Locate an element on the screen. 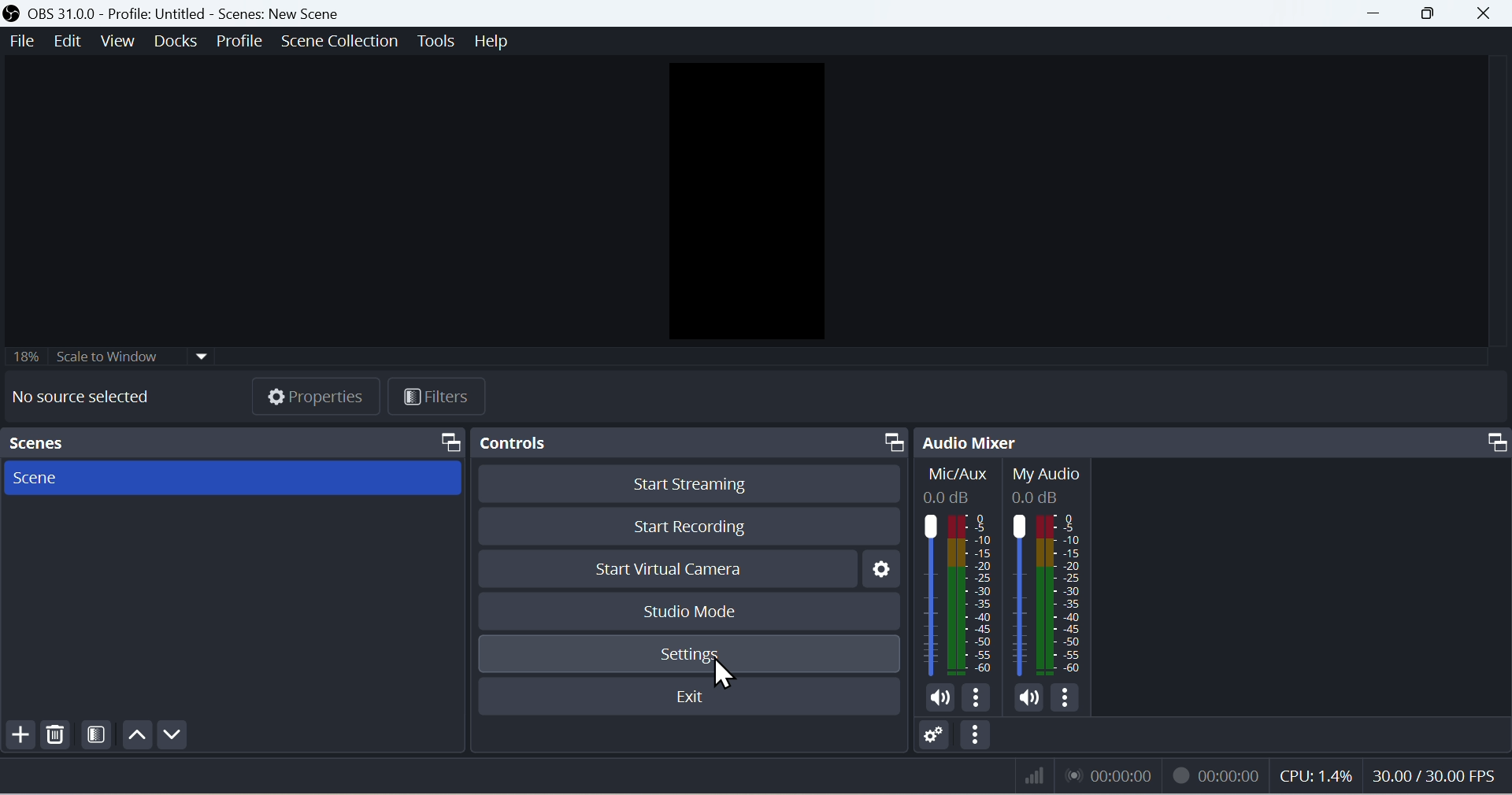 The width and height of the screenshot is (1512, 795). up is located at coordinates (135, 734).